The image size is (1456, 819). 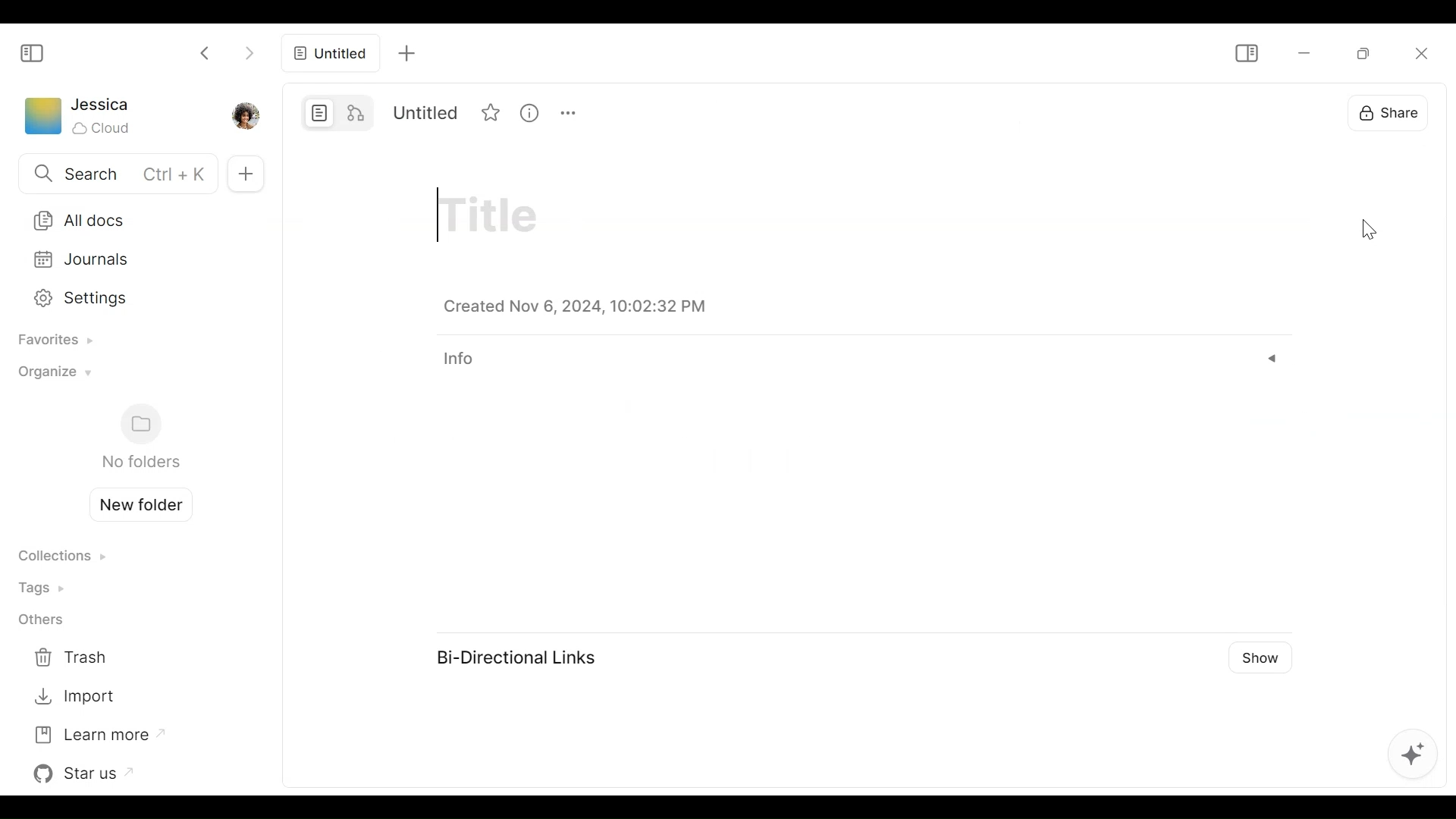 What do you see at coordinates (74, 697) in the screenshot?
I see `Import` at bounding box center [74, 697].